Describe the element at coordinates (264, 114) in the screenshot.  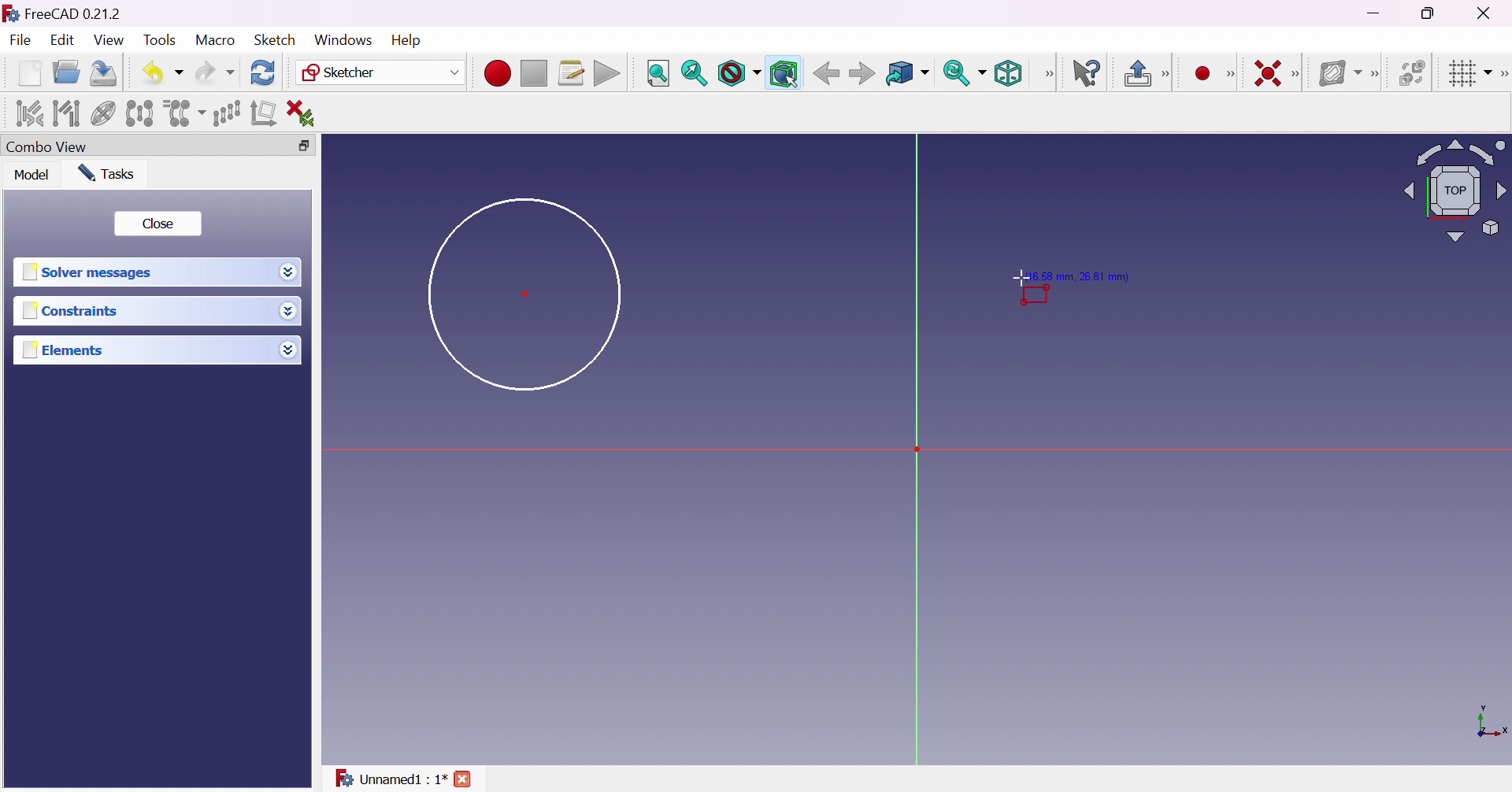
I see `Remove axes alignment` at that location.